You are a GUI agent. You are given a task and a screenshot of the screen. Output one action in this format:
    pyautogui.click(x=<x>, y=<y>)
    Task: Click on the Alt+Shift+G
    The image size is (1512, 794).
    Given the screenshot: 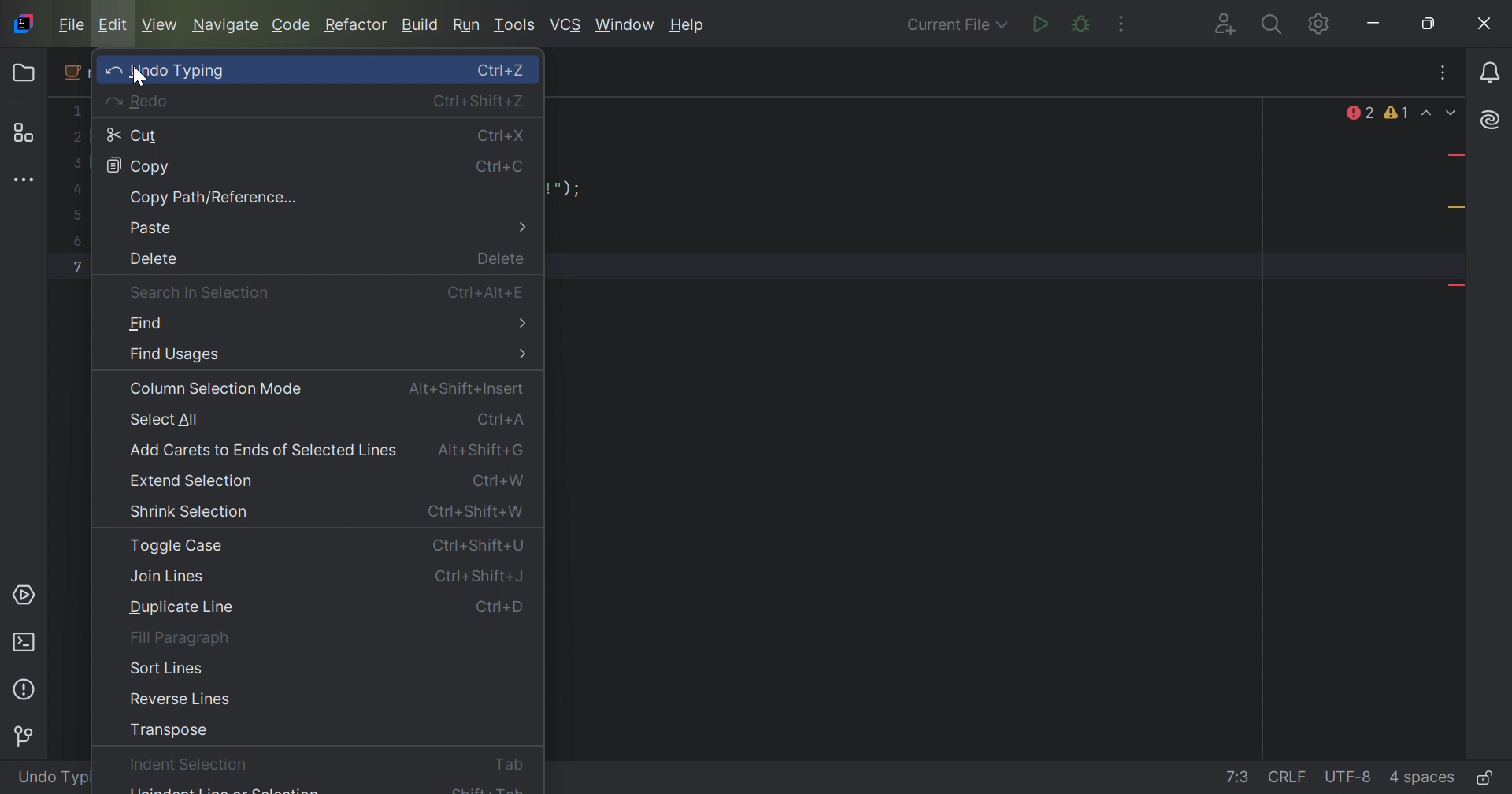 What is the action you would take?
    pyautogui.click(x=486, y=449)
    